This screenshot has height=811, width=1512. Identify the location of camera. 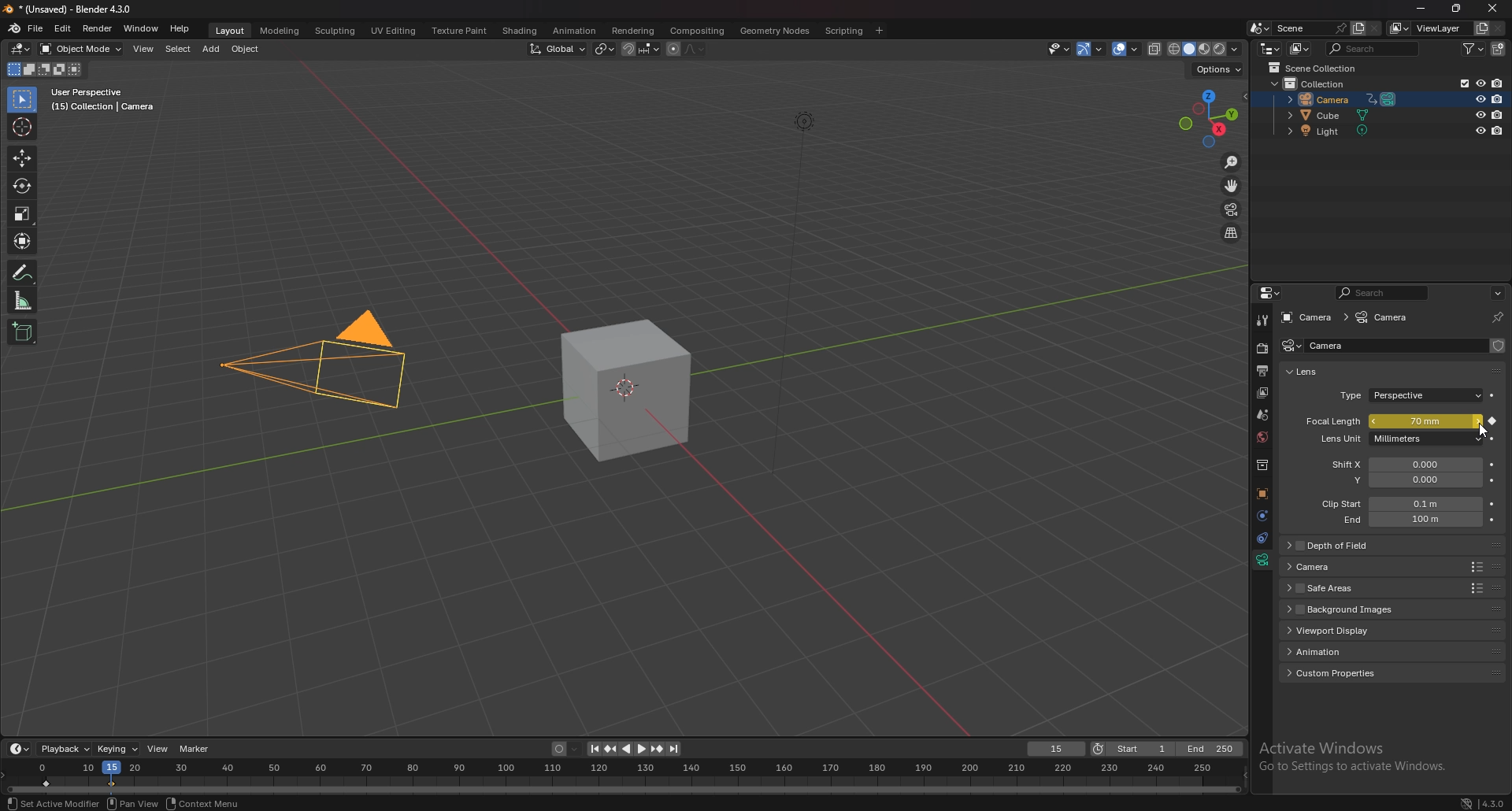
(1307, 317).